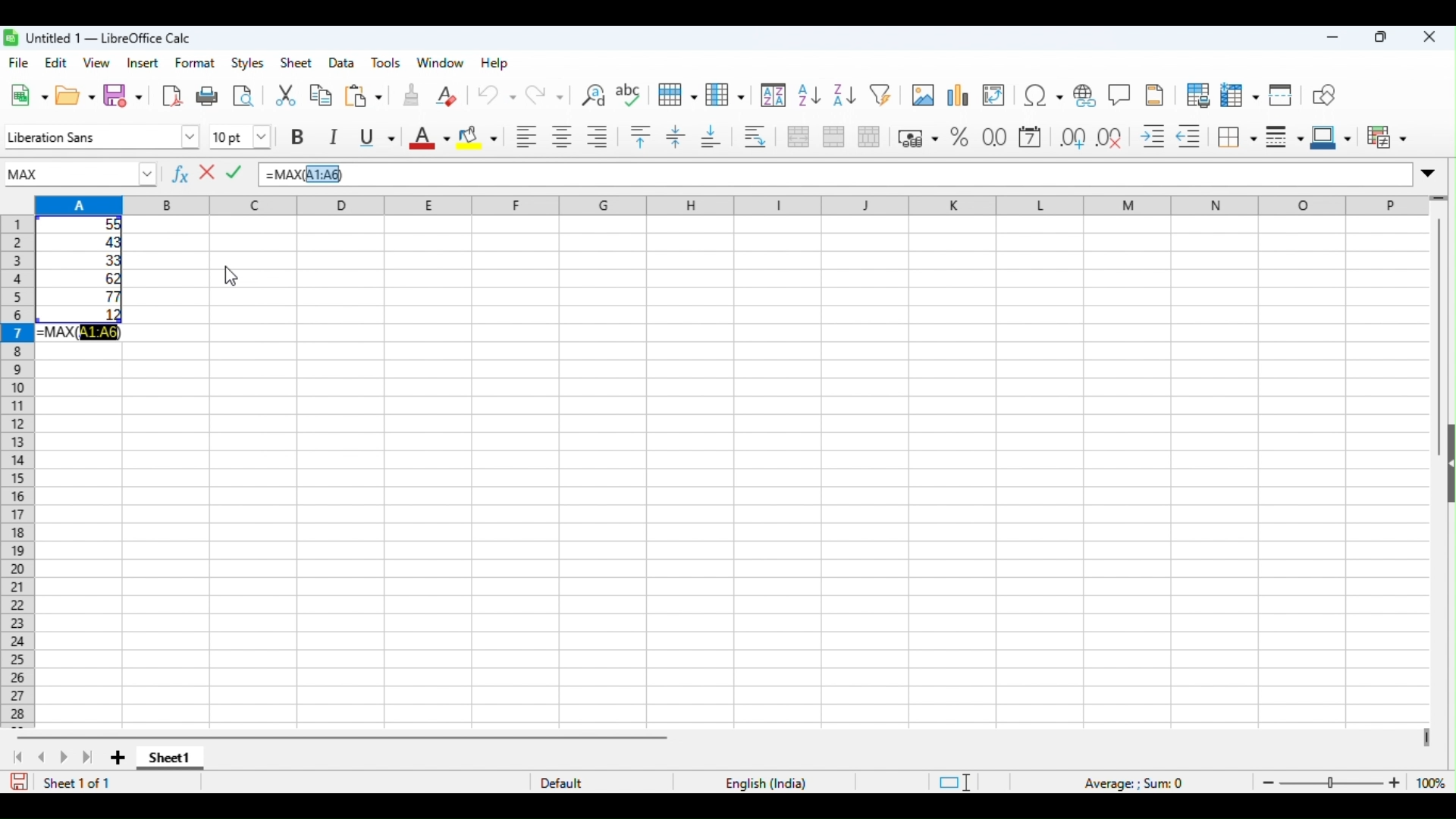 The image size is (1456, 819). What do you see at coordinates (1087, 93) in the screenshot?
I see `insert hyperlink` at bounding box center [1087, 93].